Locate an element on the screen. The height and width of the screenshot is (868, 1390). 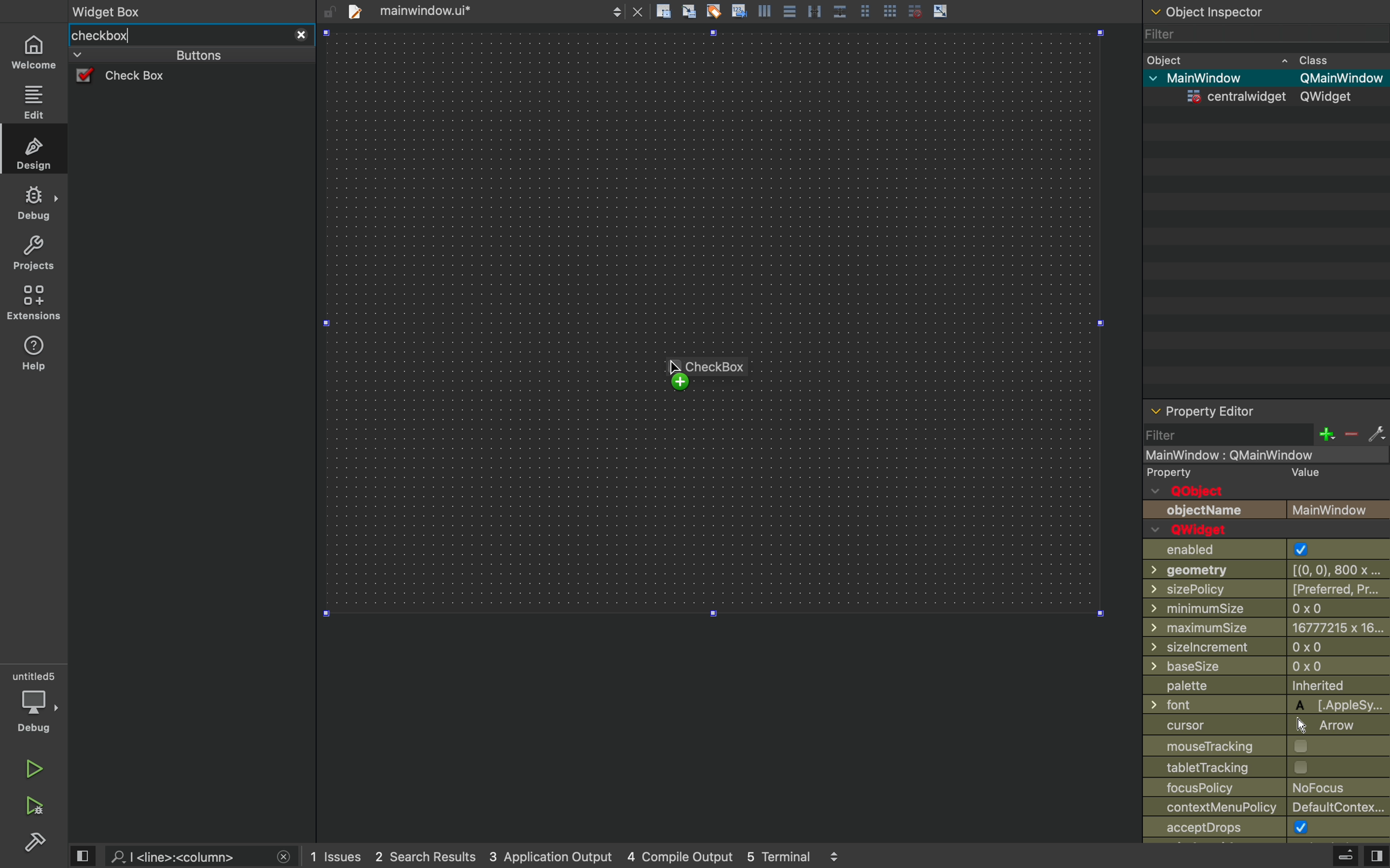
widget is located at coordinates (1270, 96).